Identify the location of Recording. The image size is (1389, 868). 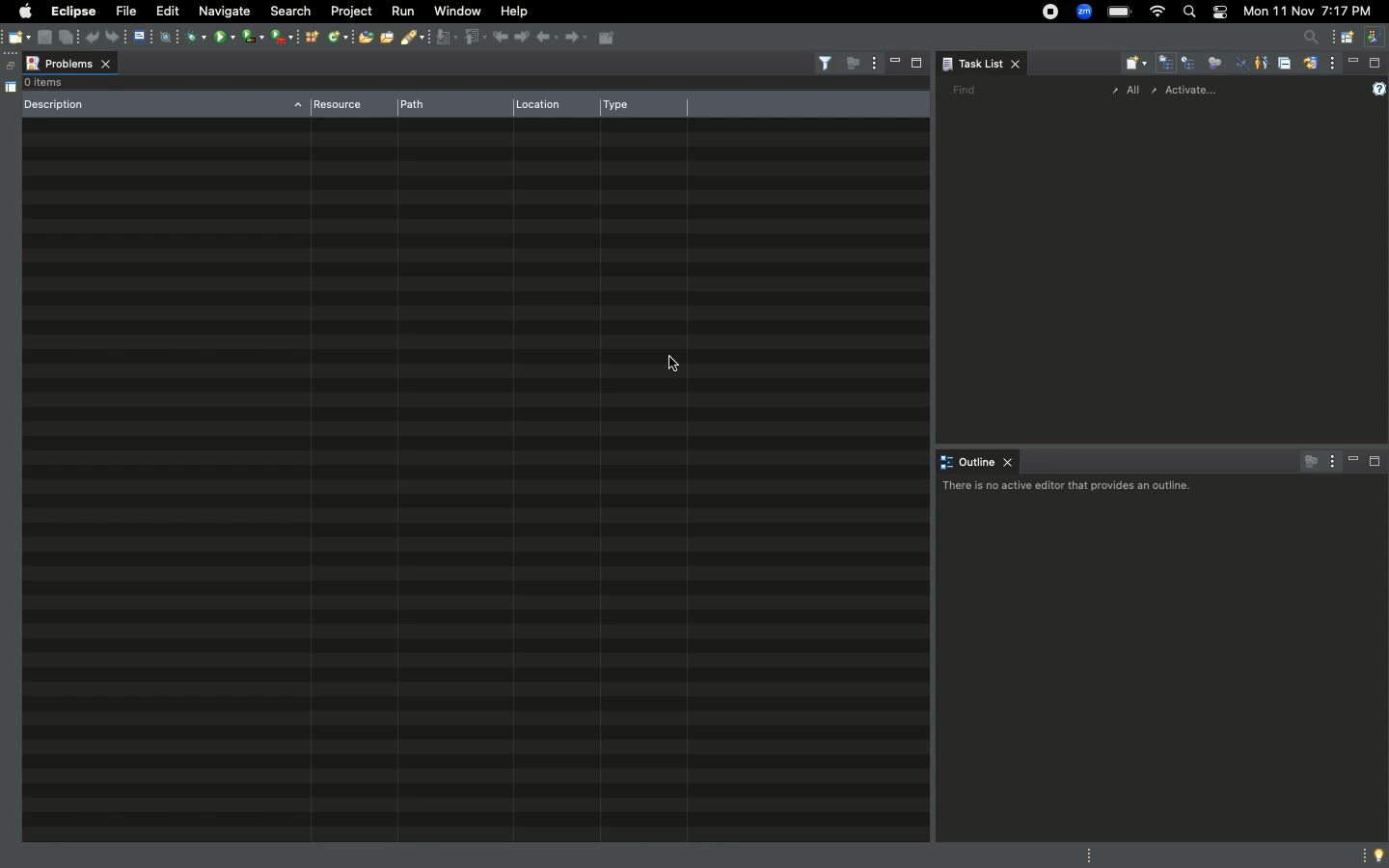
(1049, 14).